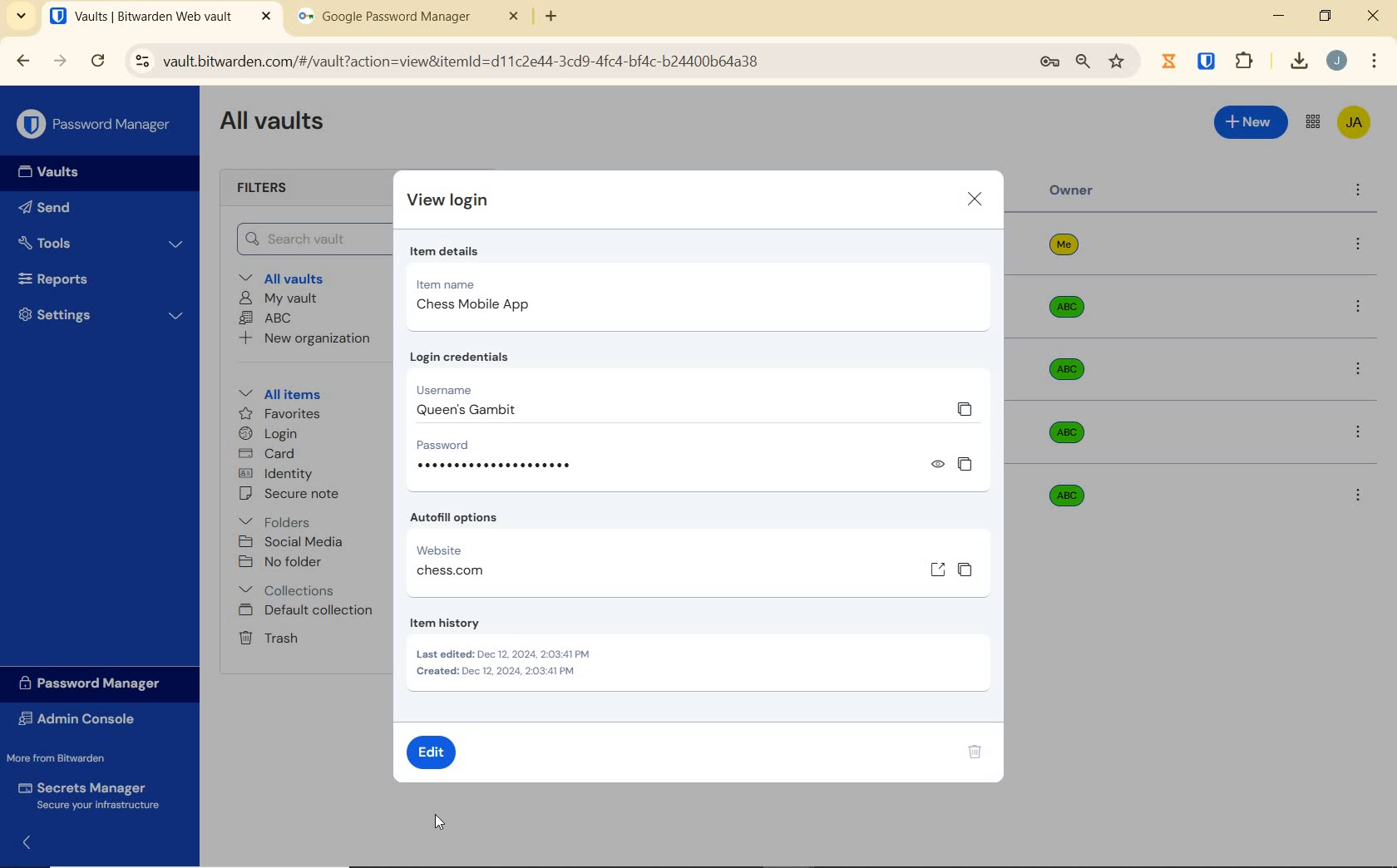 This screenshot has width=1397, height=868. I want to click on identity, so click(276, 474).